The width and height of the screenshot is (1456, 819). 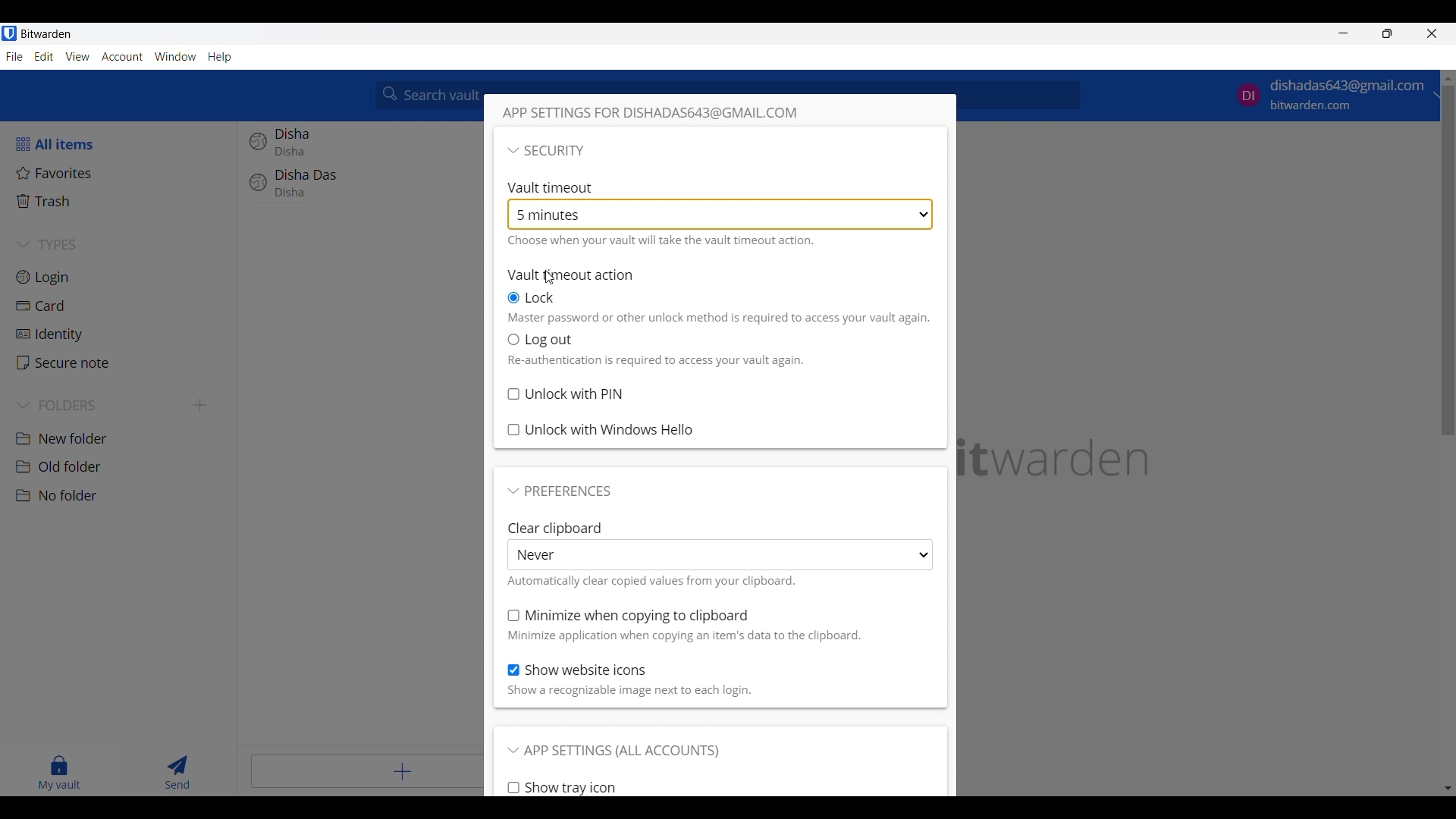 What do you see at coordinates (178, 773) in the screenshot?
I see `Send` at bounding box center [178, 773].